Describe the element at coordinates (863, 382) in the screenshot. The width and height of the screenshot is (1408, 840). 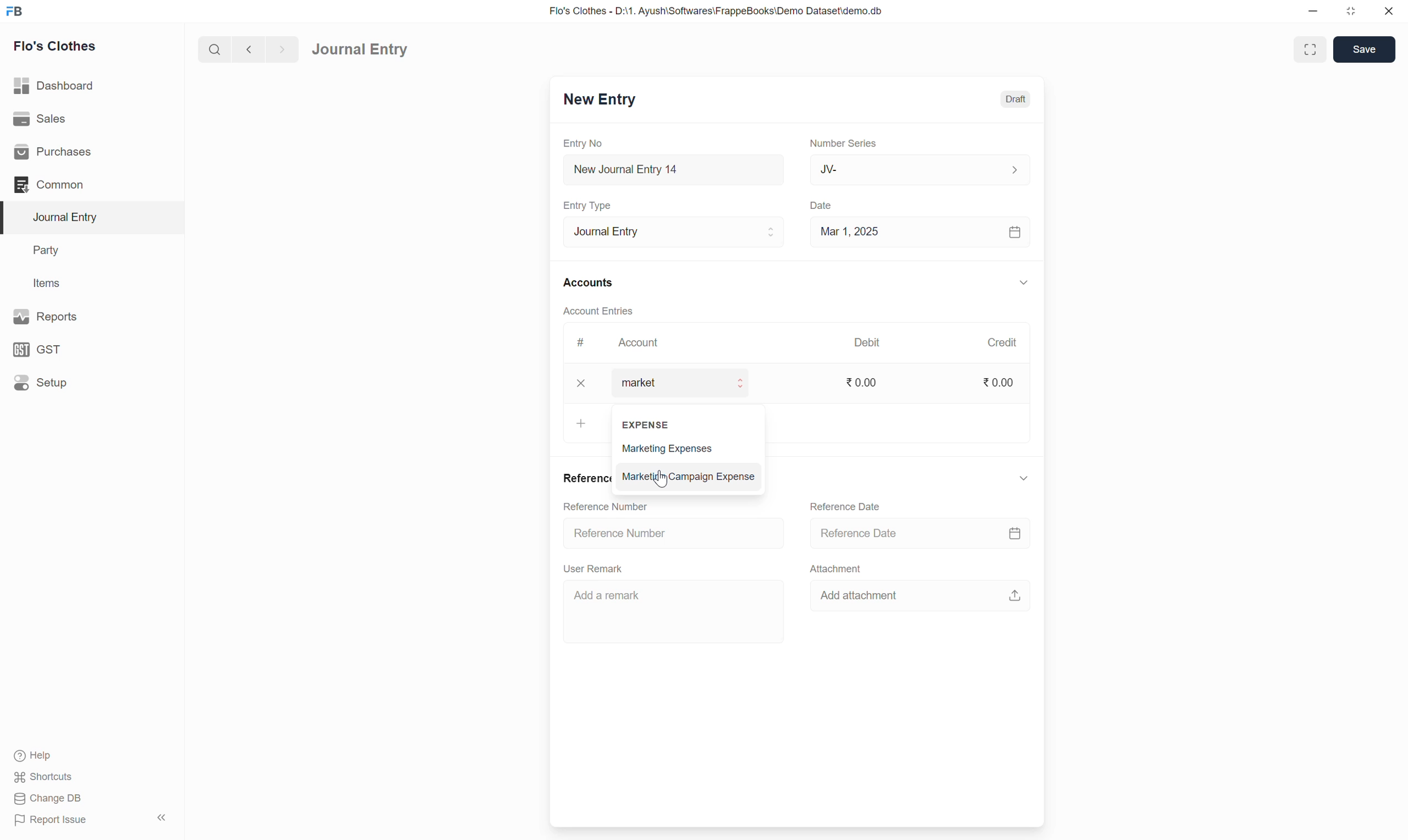
I see `0.00` at that location.